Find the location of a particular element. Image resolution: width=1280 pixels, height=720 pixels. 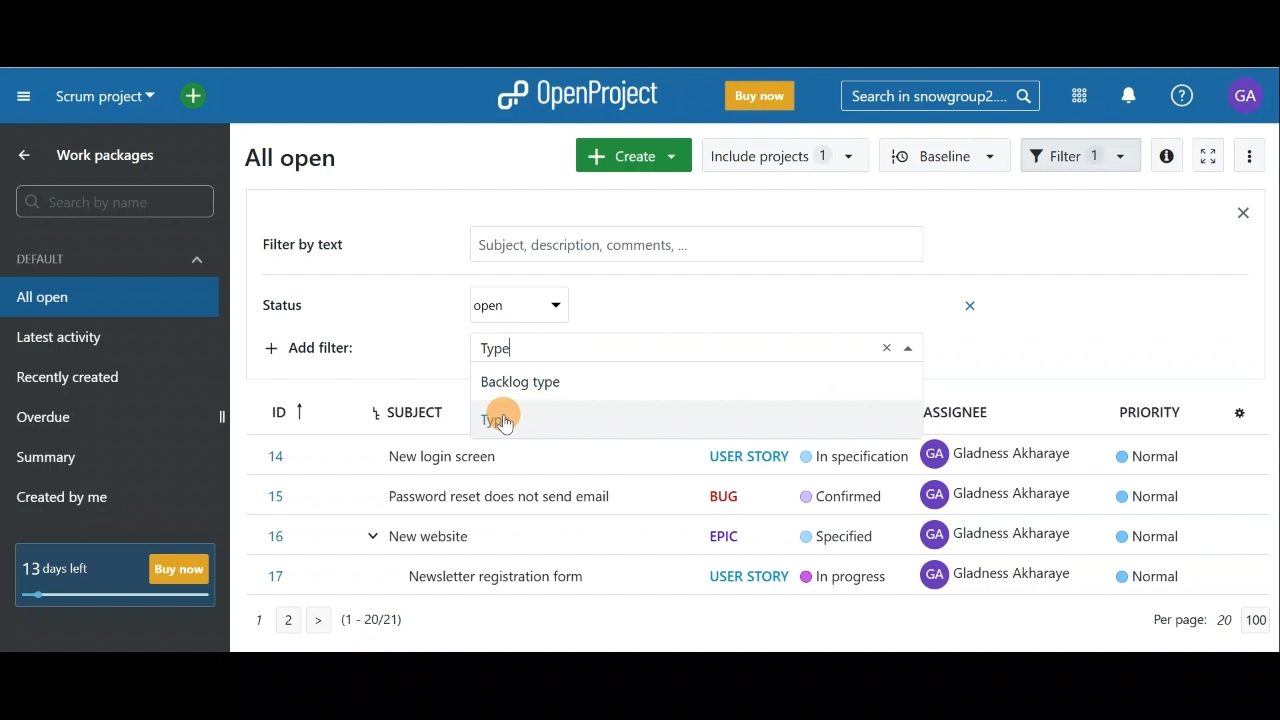

Add filter is located at coordinates (386, 346).